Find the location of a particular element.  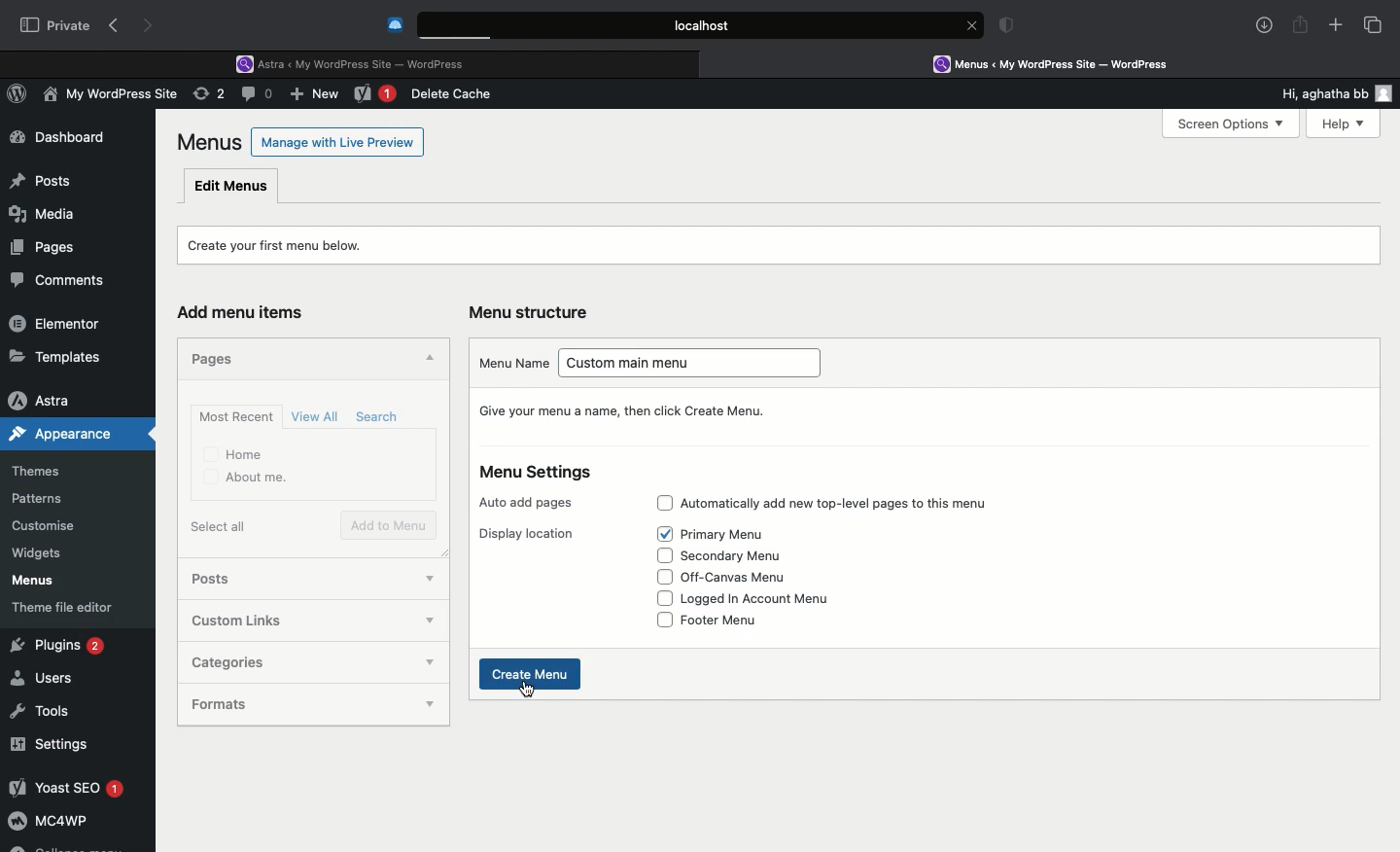

Check box is located at coordinates (660, 598).